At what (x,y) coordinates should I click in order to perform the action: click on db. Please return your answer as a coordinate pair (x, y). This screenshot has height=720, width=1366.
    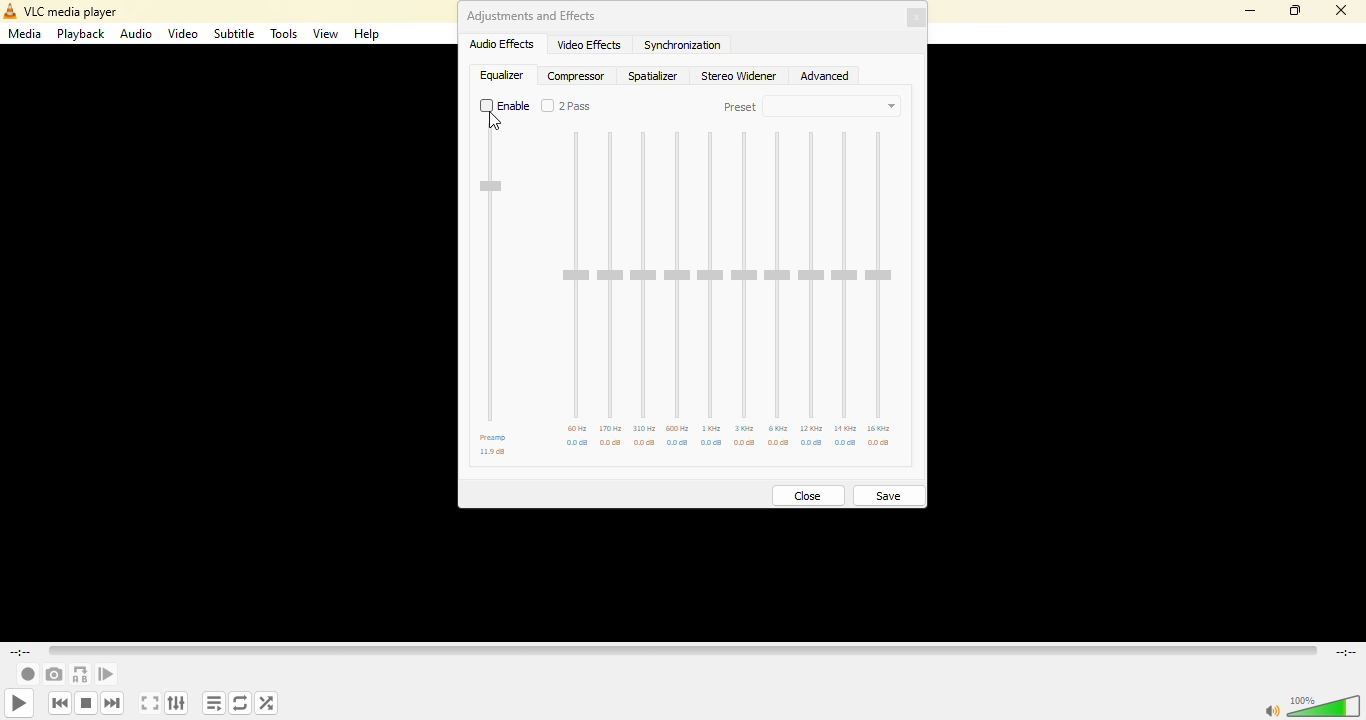
    Looking at the image, I should click on (578, 443).